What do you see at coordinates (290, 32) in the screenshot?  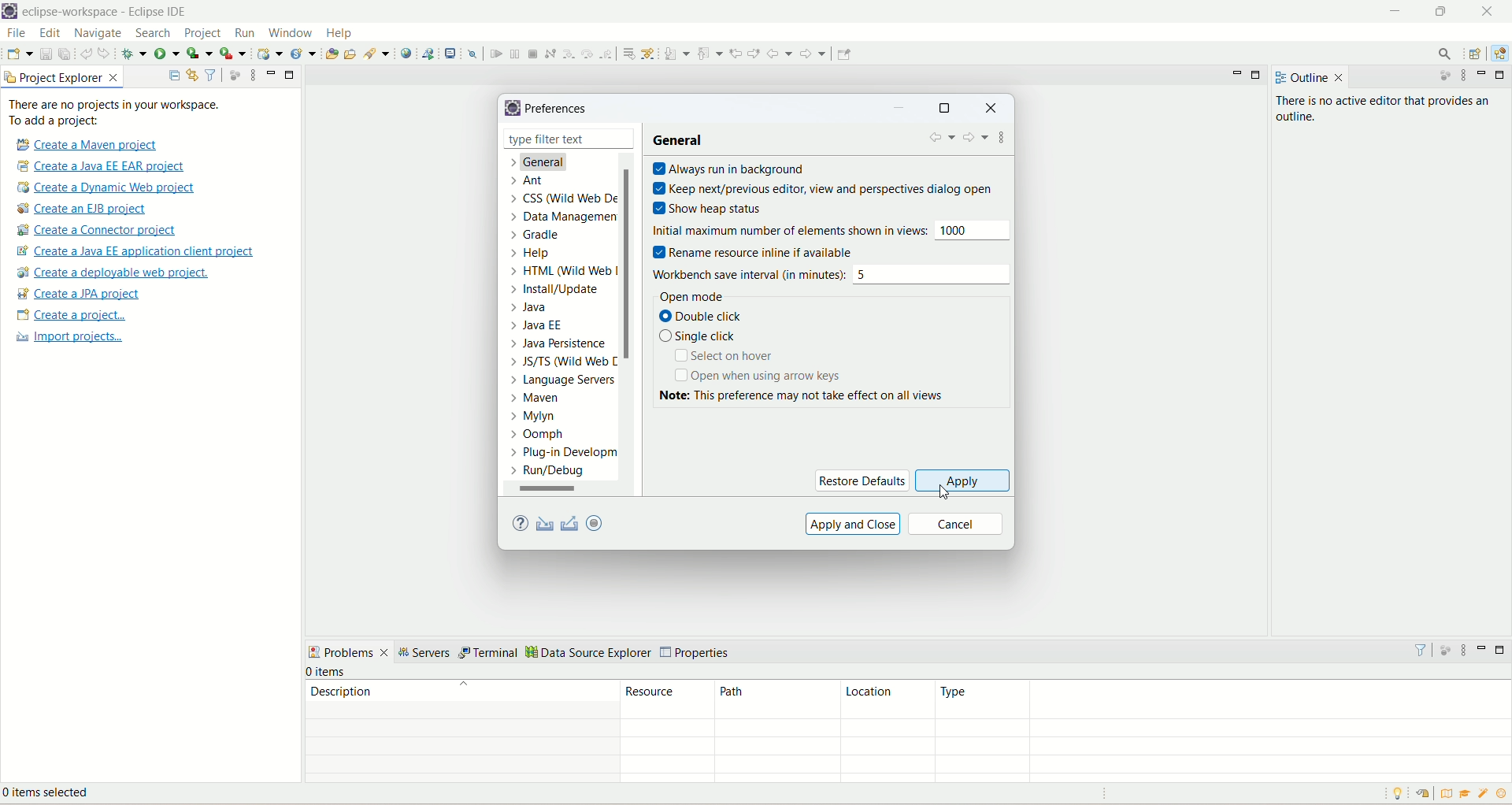 I see `window` at bounding box center [290, 32].